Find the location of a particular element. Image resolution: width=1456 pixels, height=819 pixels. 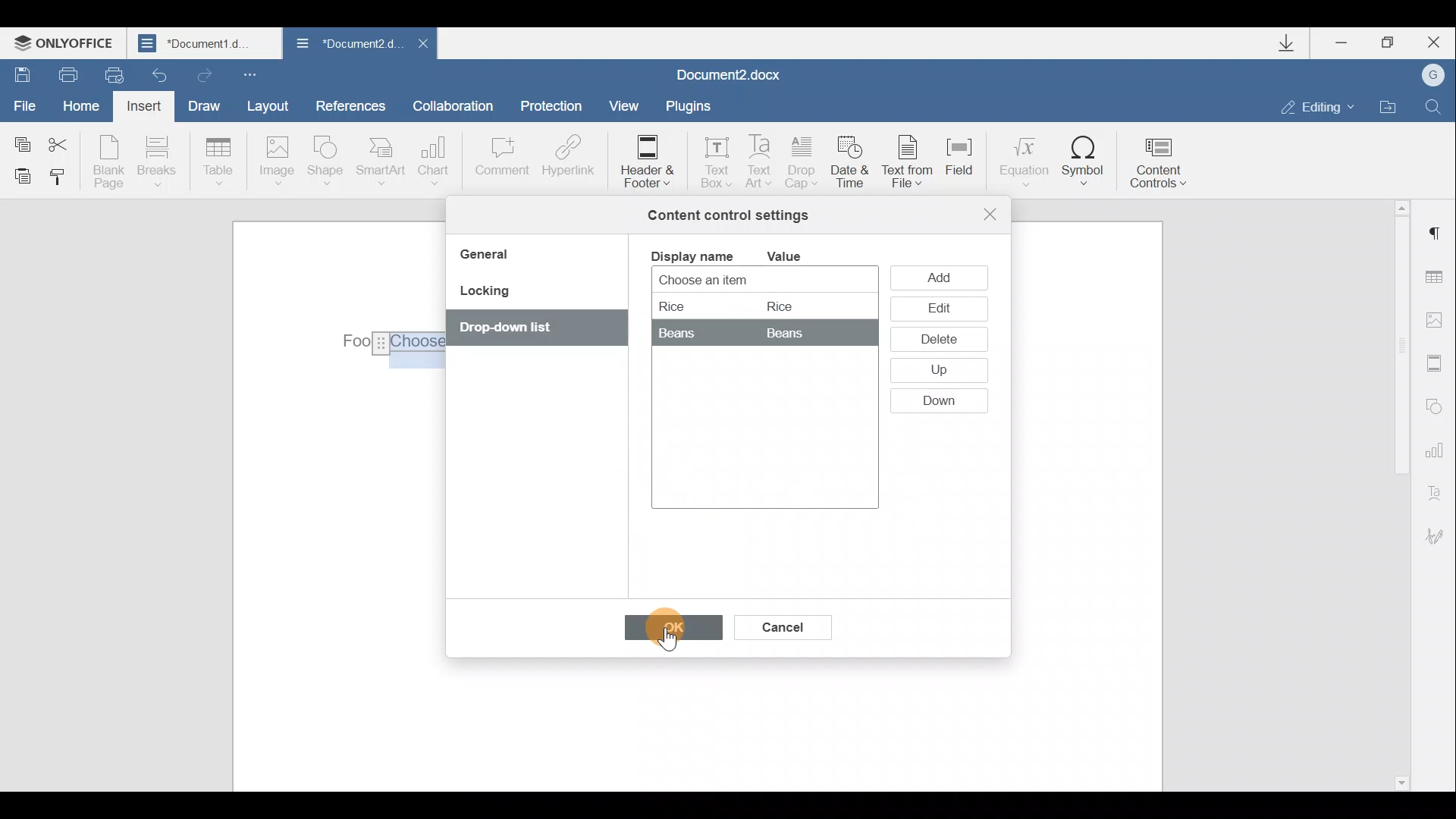

Display name is located at coordinates (691, 255).